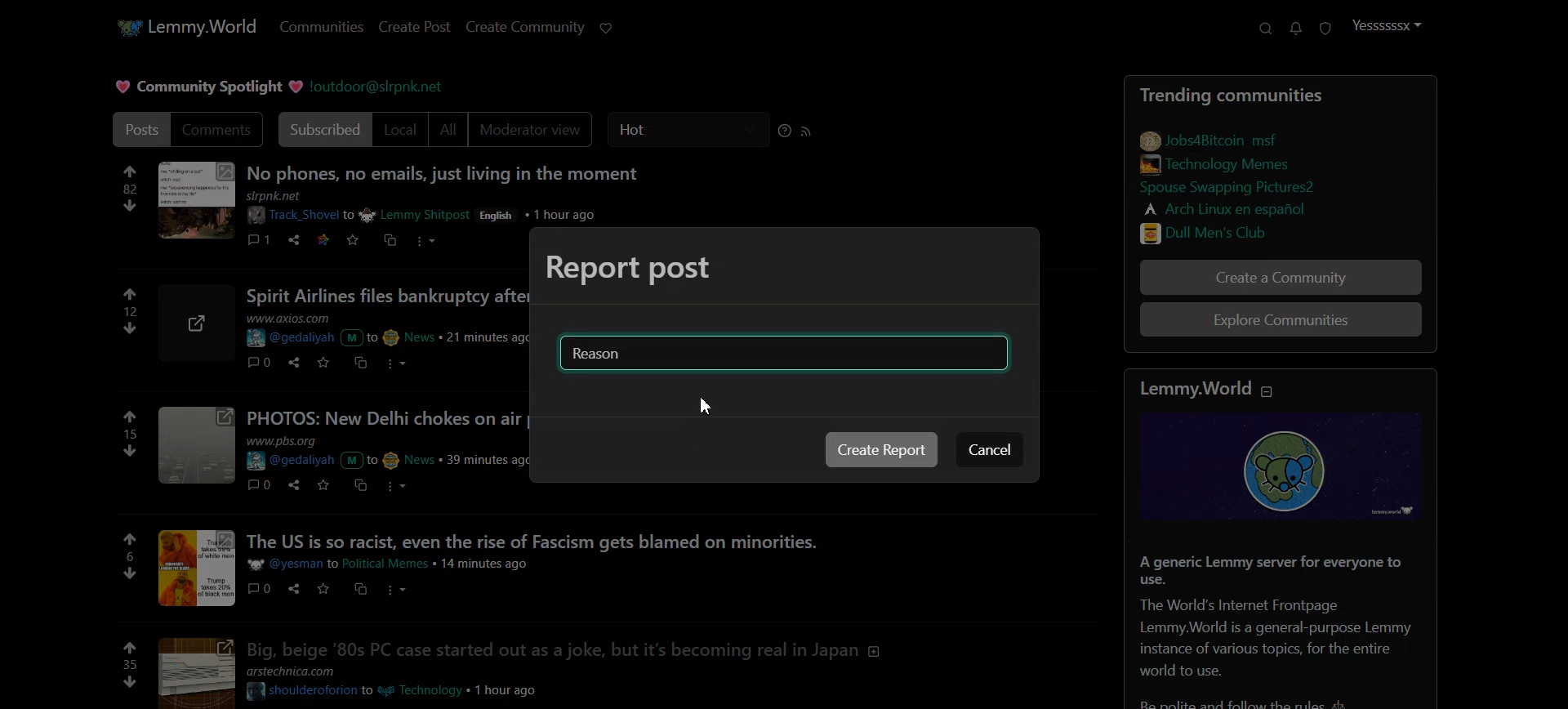  Describe the element at coordinates (988, 449) in the screenshot. I see `Cancel` at that location.